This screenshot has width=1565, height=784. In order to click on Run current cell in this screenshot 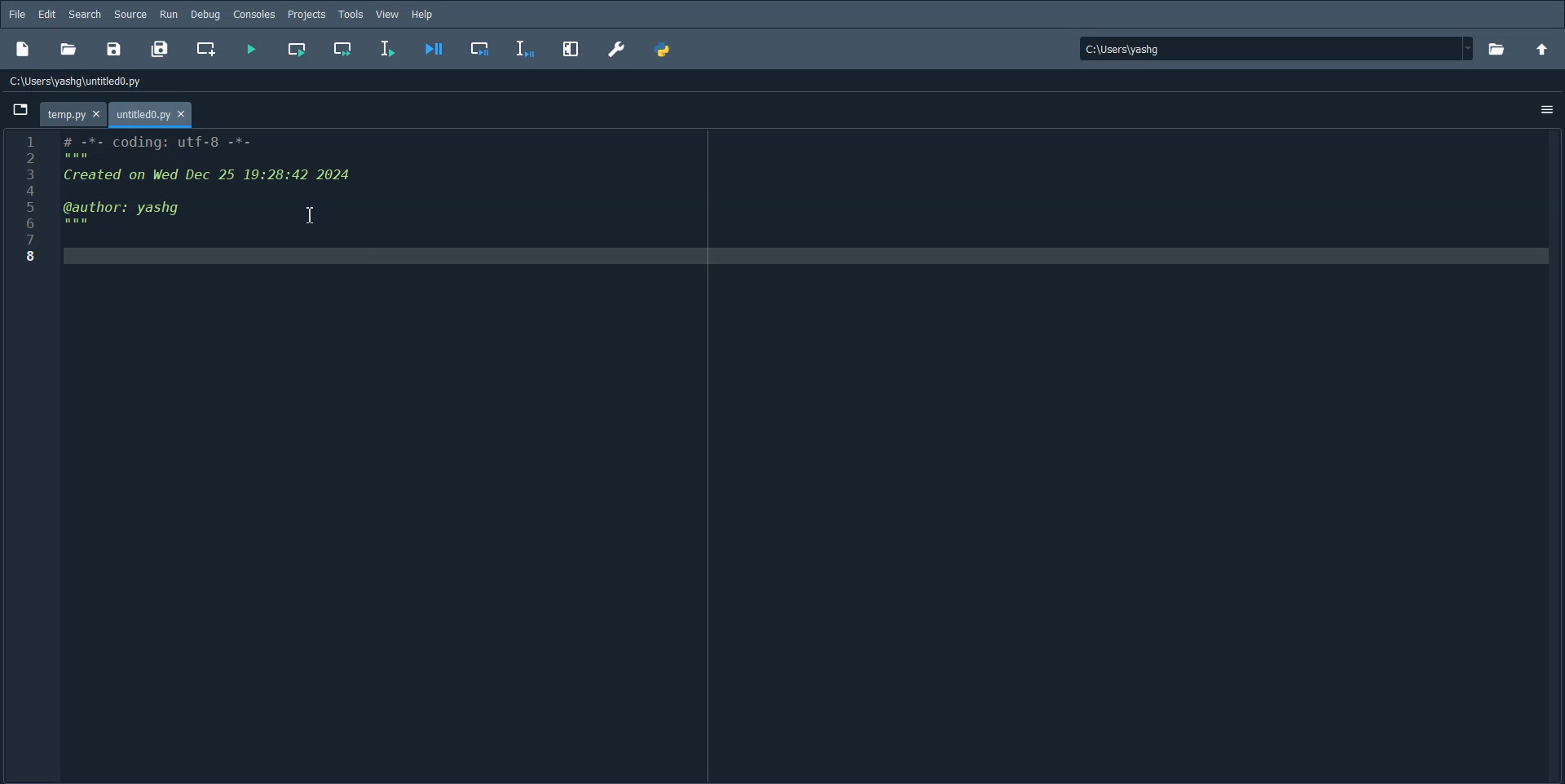, I will do `click(345, 51)`.